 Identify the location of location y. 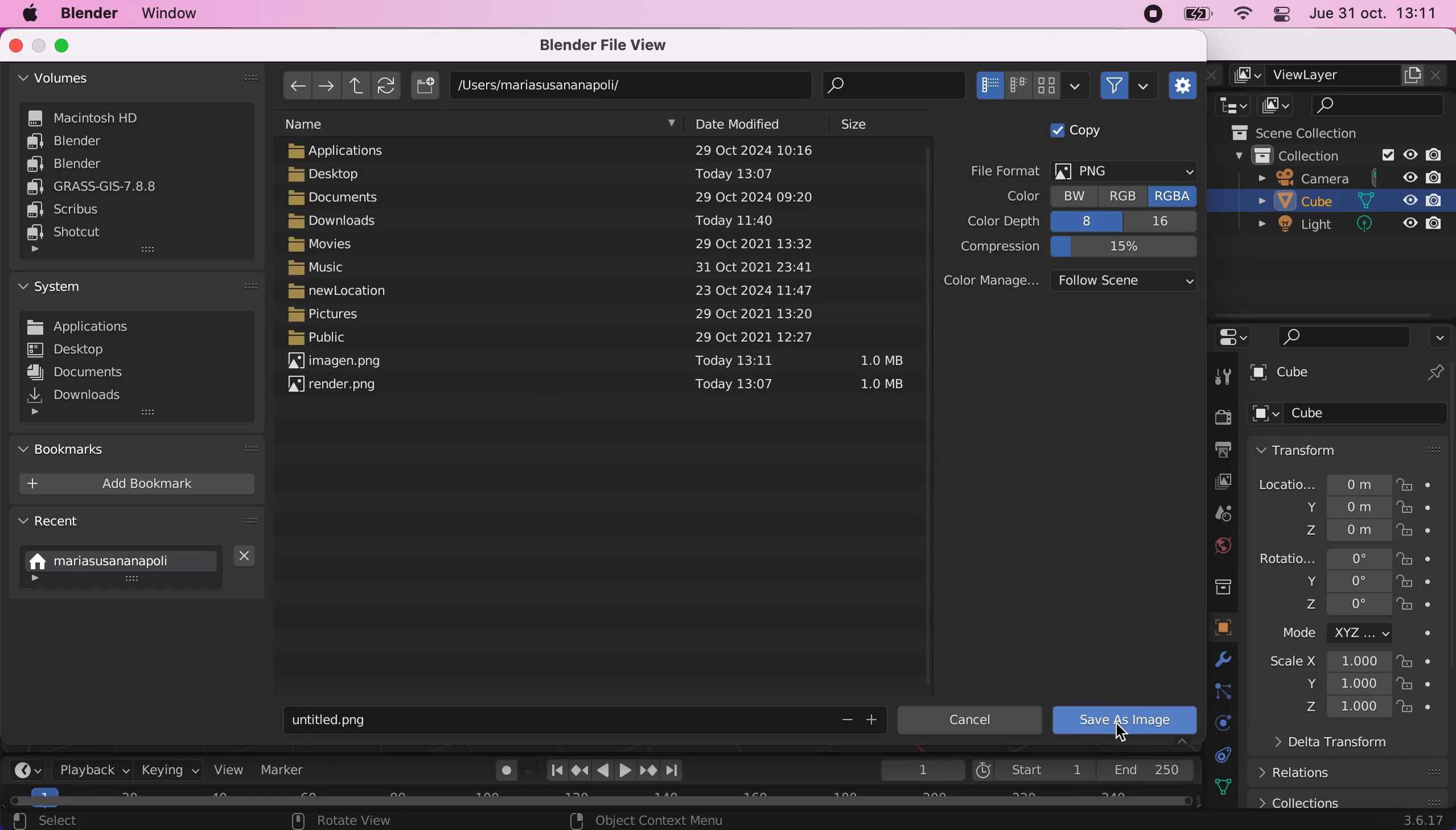
(1325, 507).